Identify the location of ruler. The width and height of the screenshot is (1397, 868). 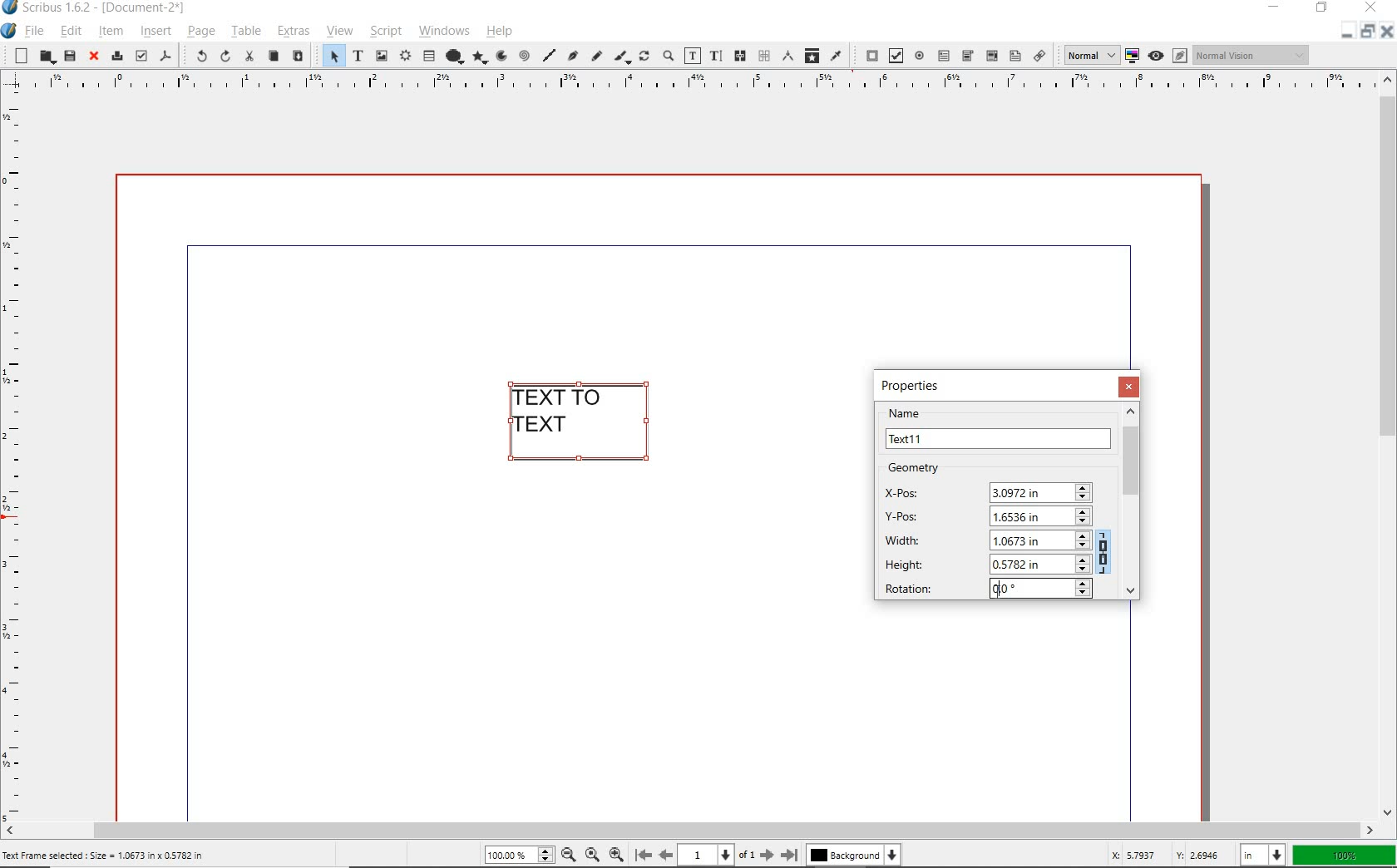
(694, 86).